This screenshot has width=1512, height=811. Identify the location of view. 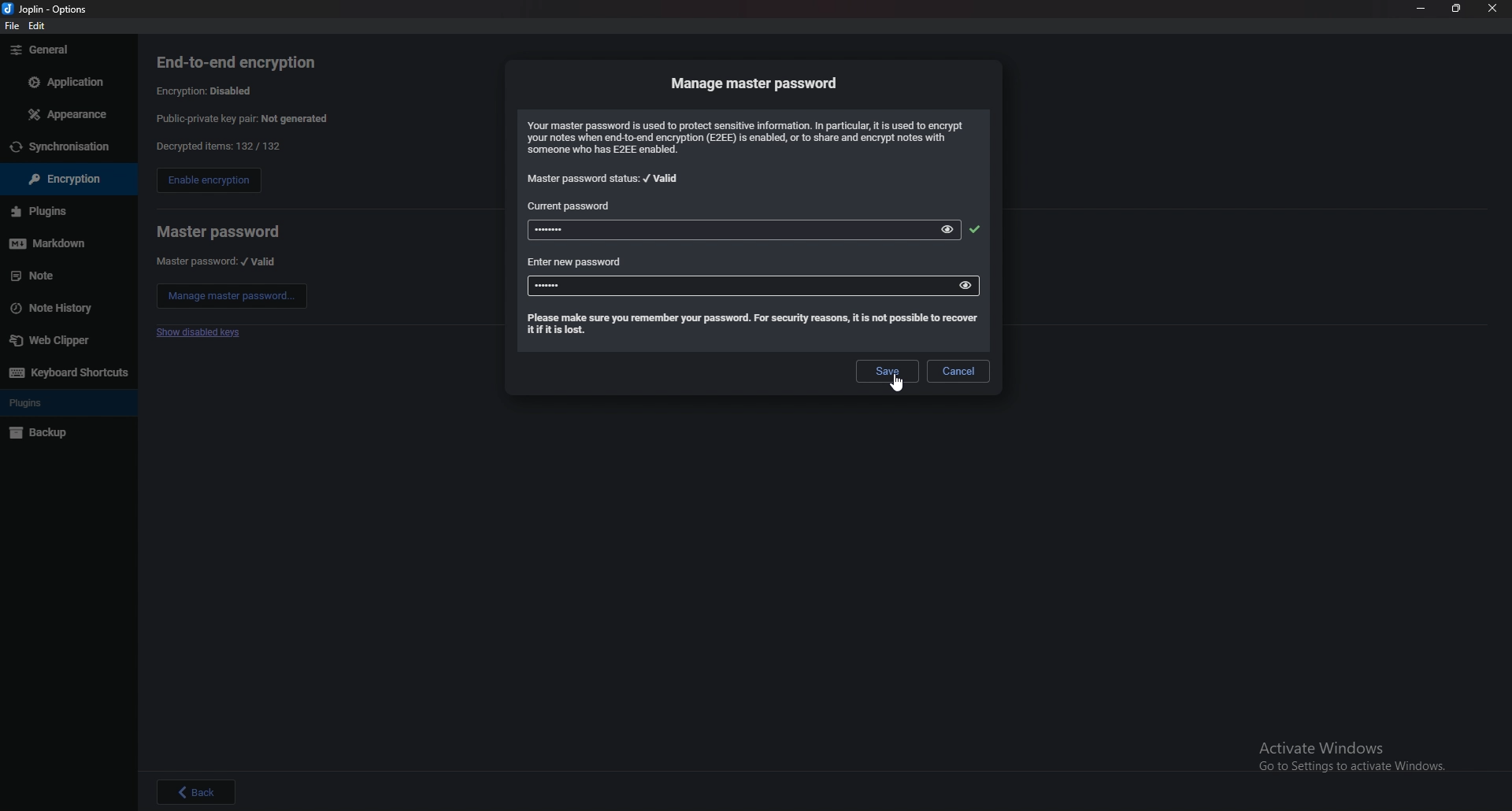
(965, 284).